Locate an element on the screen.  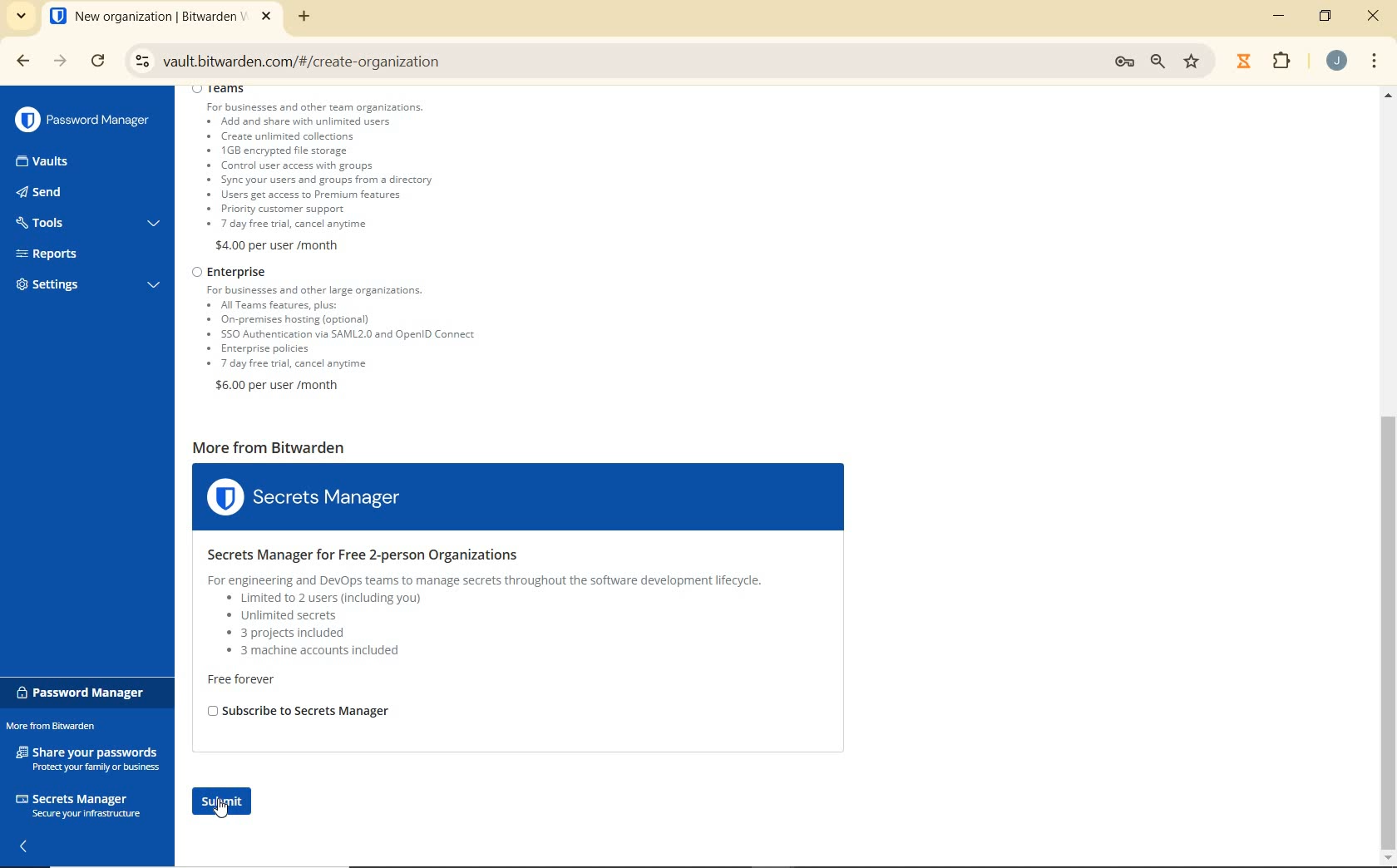
restore down is located at coordinates (1328, 16).